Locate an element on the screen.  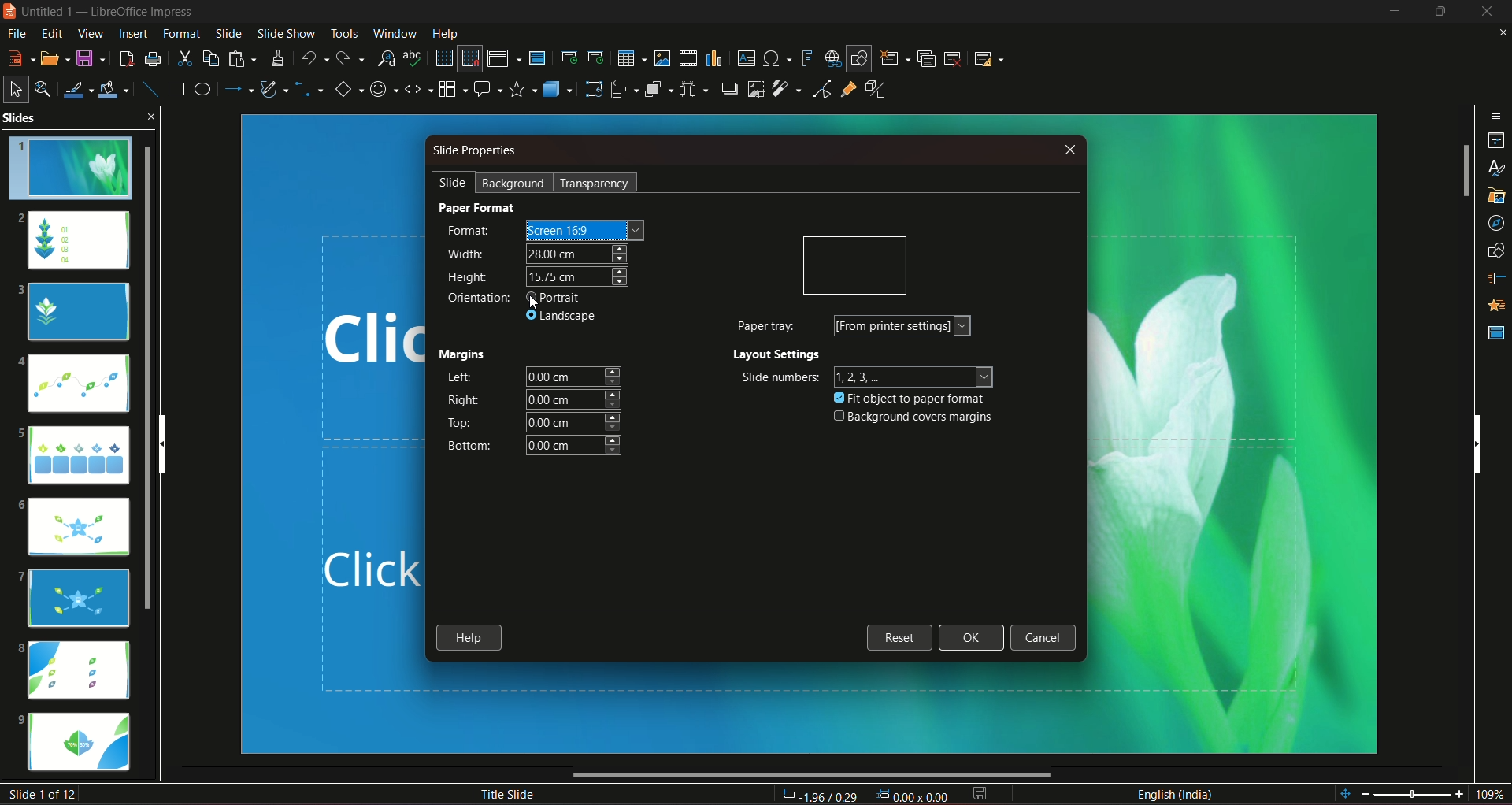
insert image is located at coordinates (661, 58).